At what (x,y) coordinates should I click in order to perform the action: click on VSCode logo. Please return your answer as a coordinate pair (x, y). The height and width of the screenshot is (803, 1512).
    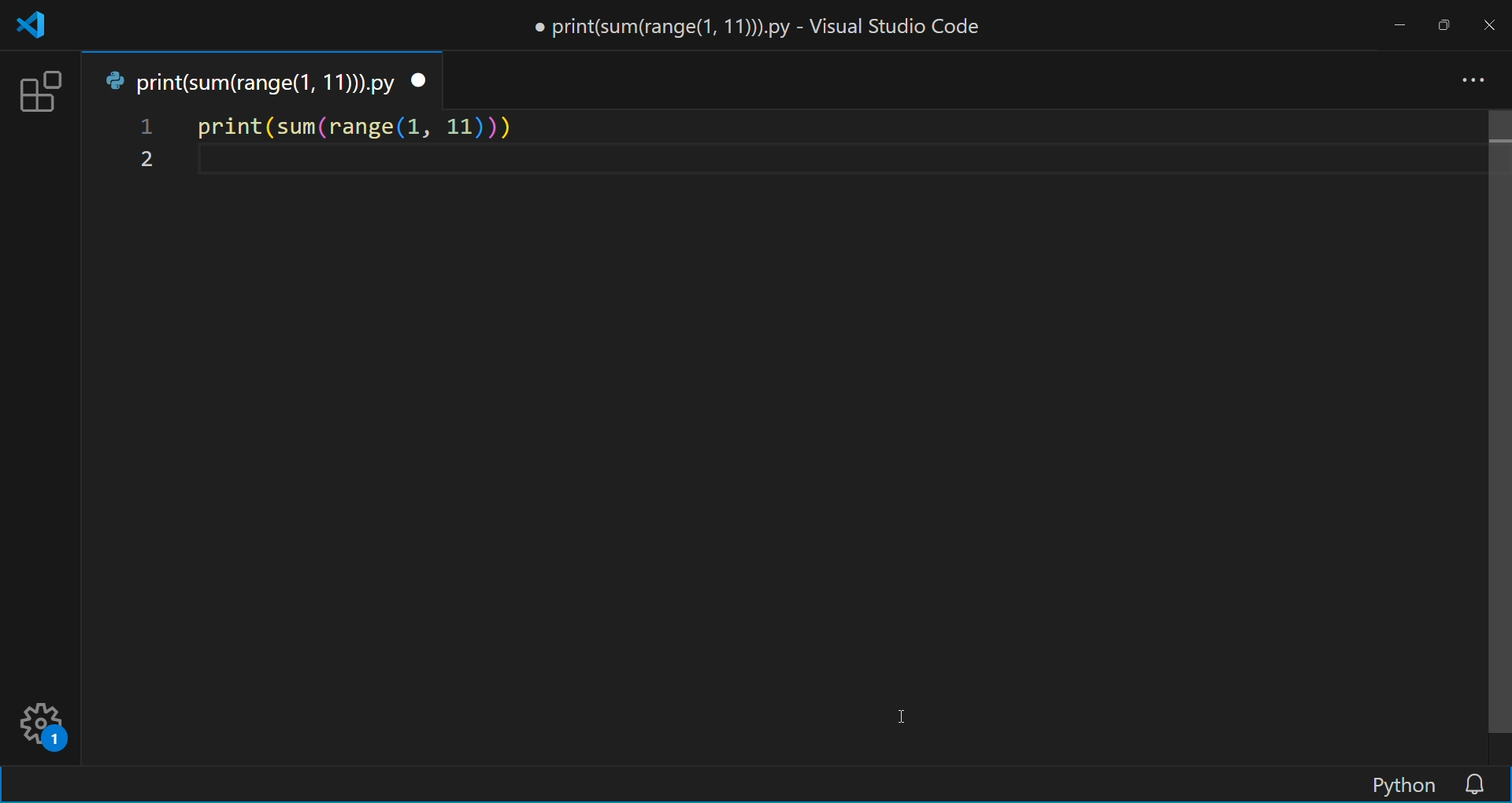
    Looking at the image, I should click on (32, 30).